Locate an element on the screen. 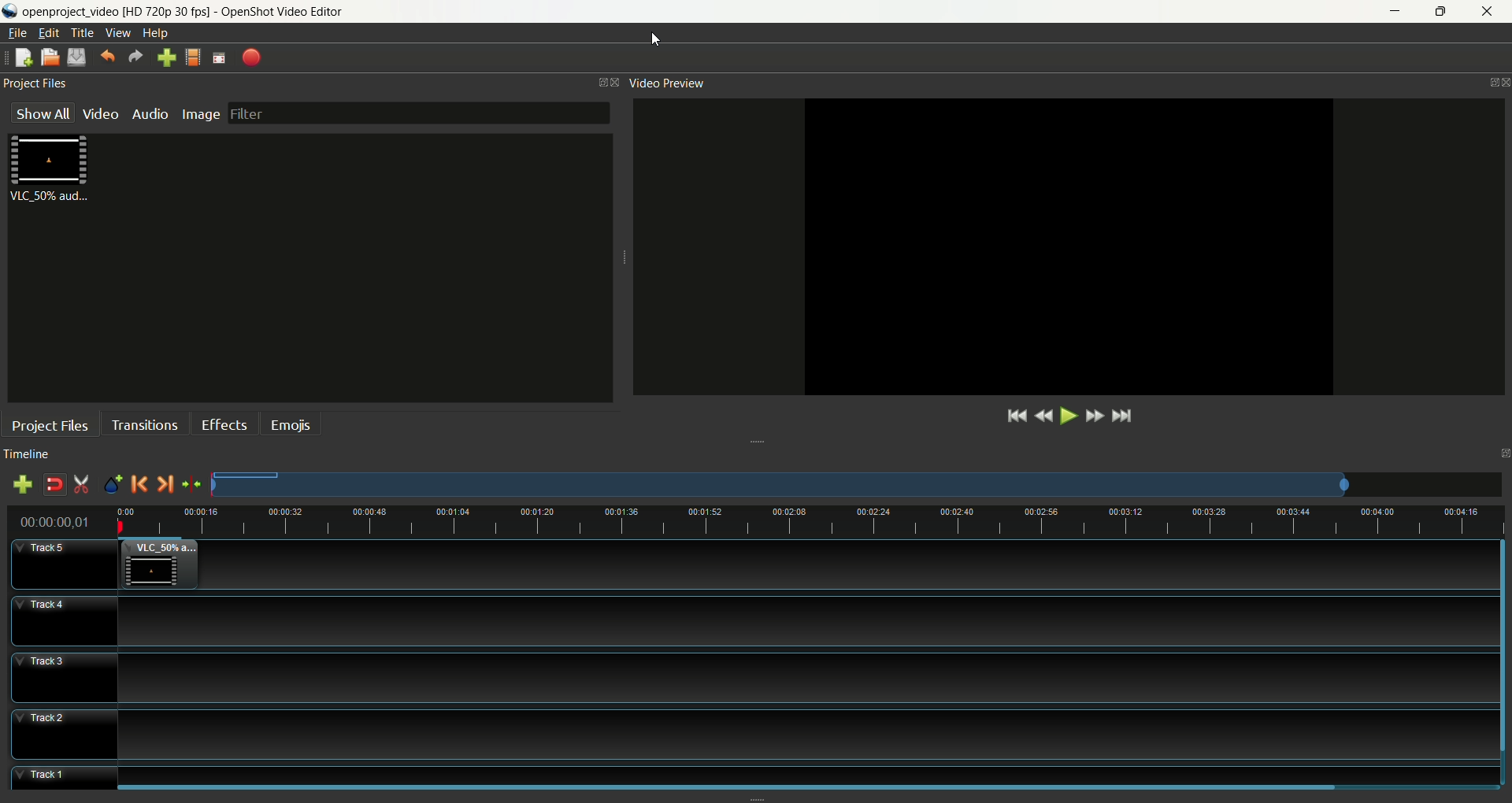  track 1 is located at coordinates (46, 781).